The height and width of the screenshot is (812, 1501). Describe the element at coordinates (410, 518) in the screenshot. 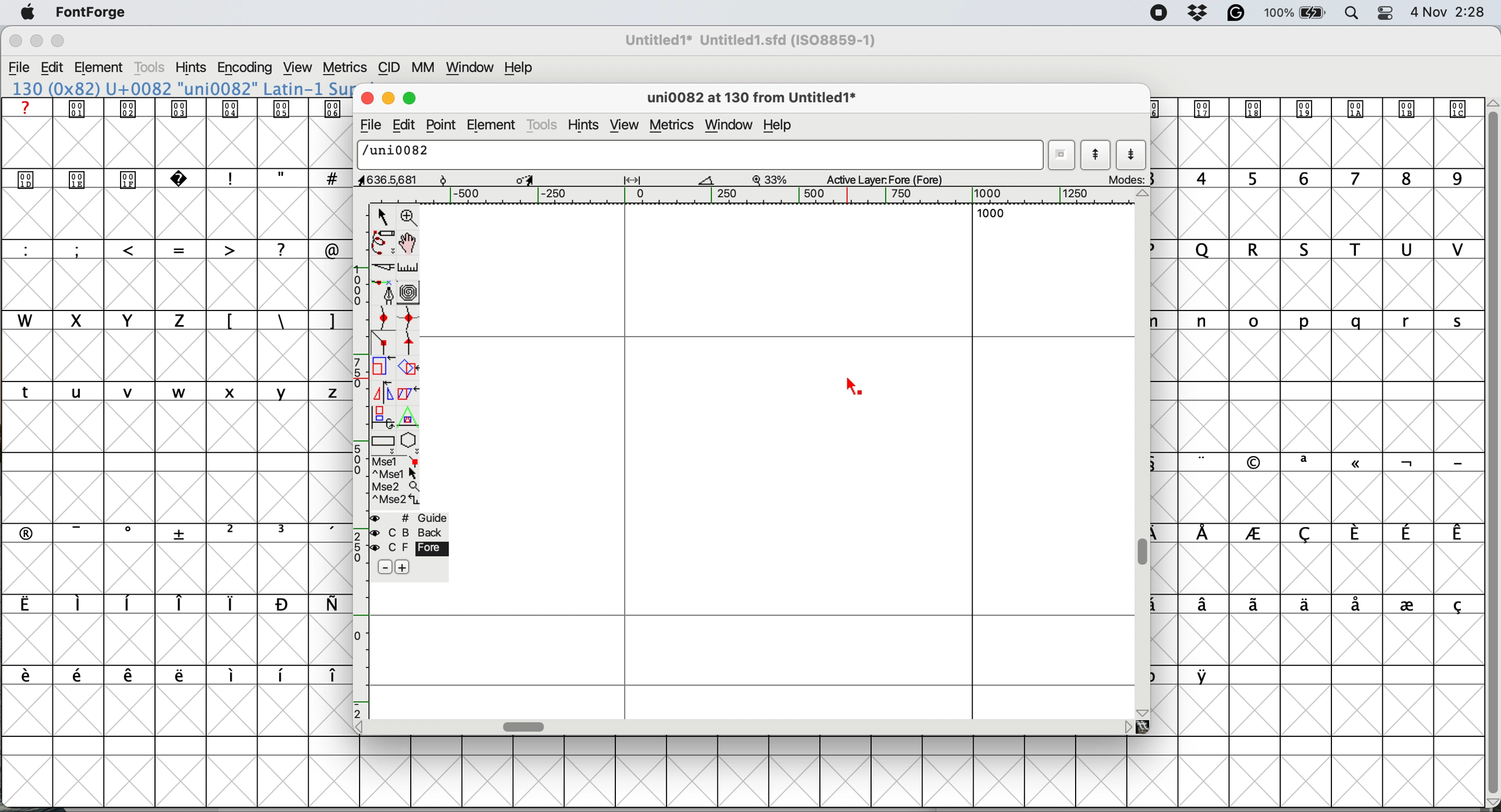

I see `guide` at that location.